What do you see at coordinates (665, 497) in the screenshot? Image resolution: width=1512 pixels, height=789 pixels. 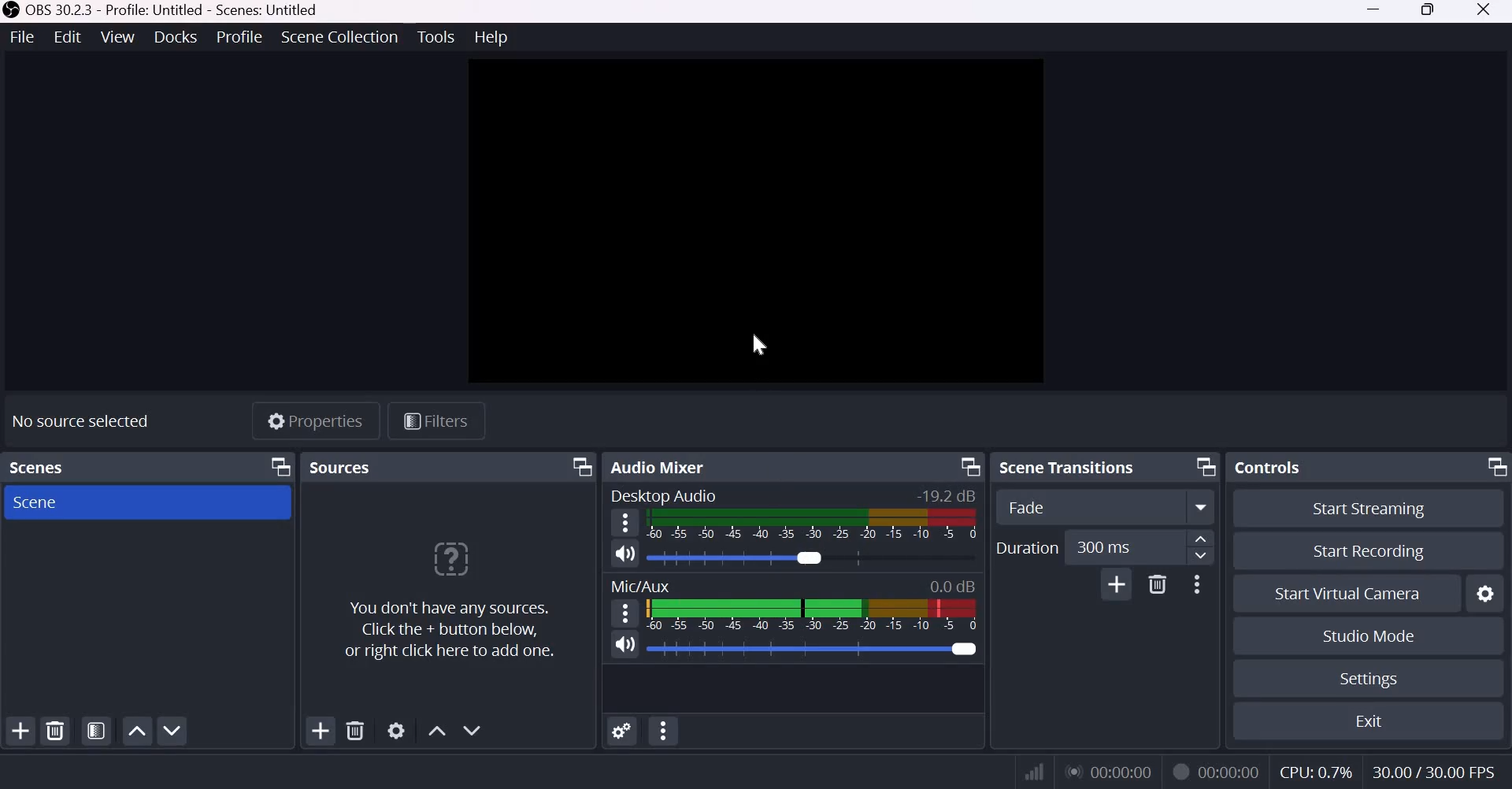 I see `Desktop Audio` at bounding box center [665, 497].